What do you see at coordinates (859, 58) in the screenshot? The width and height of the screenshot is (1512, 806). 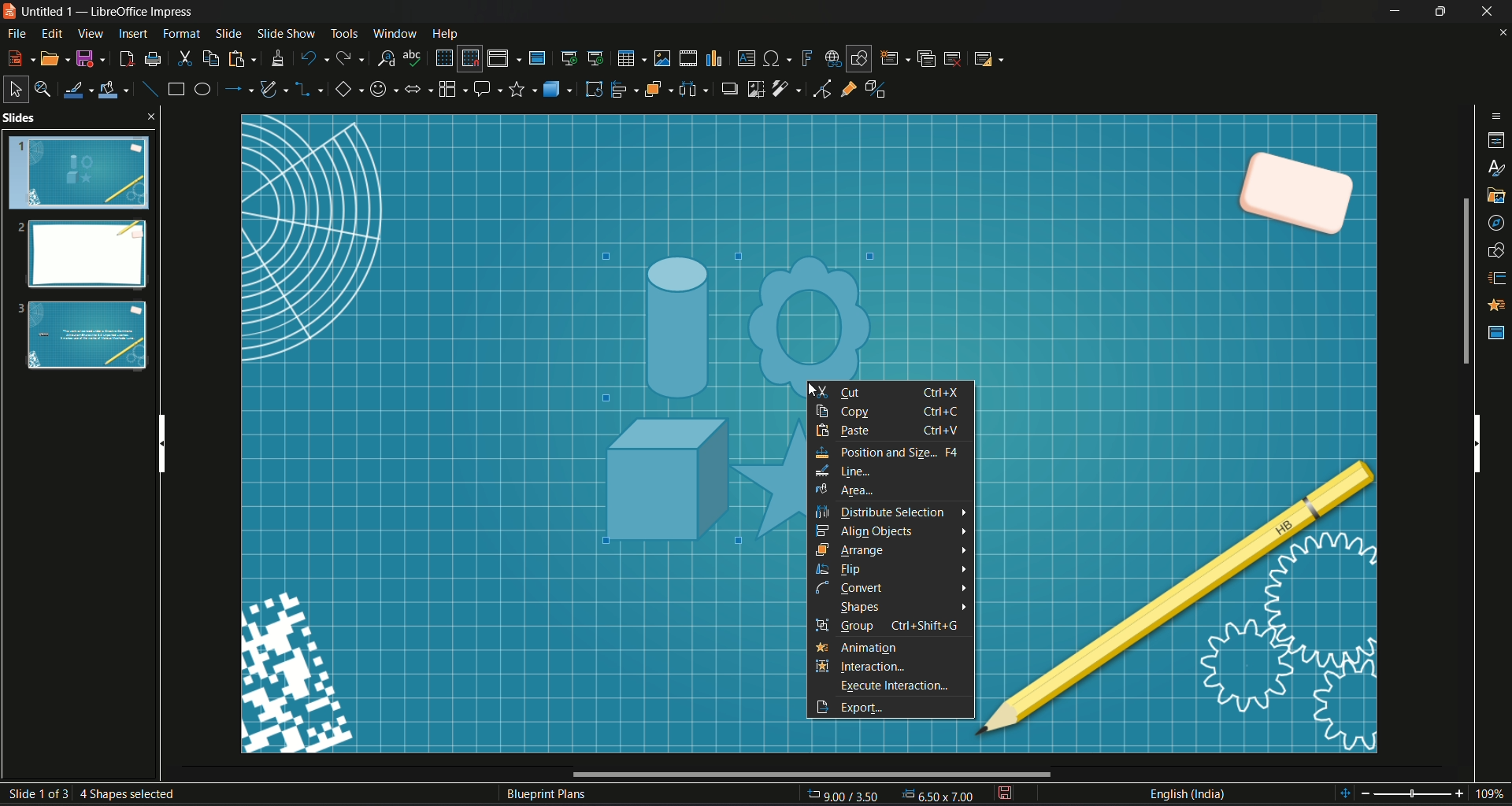 I see `show draw function` at bounding box center [859, 58].